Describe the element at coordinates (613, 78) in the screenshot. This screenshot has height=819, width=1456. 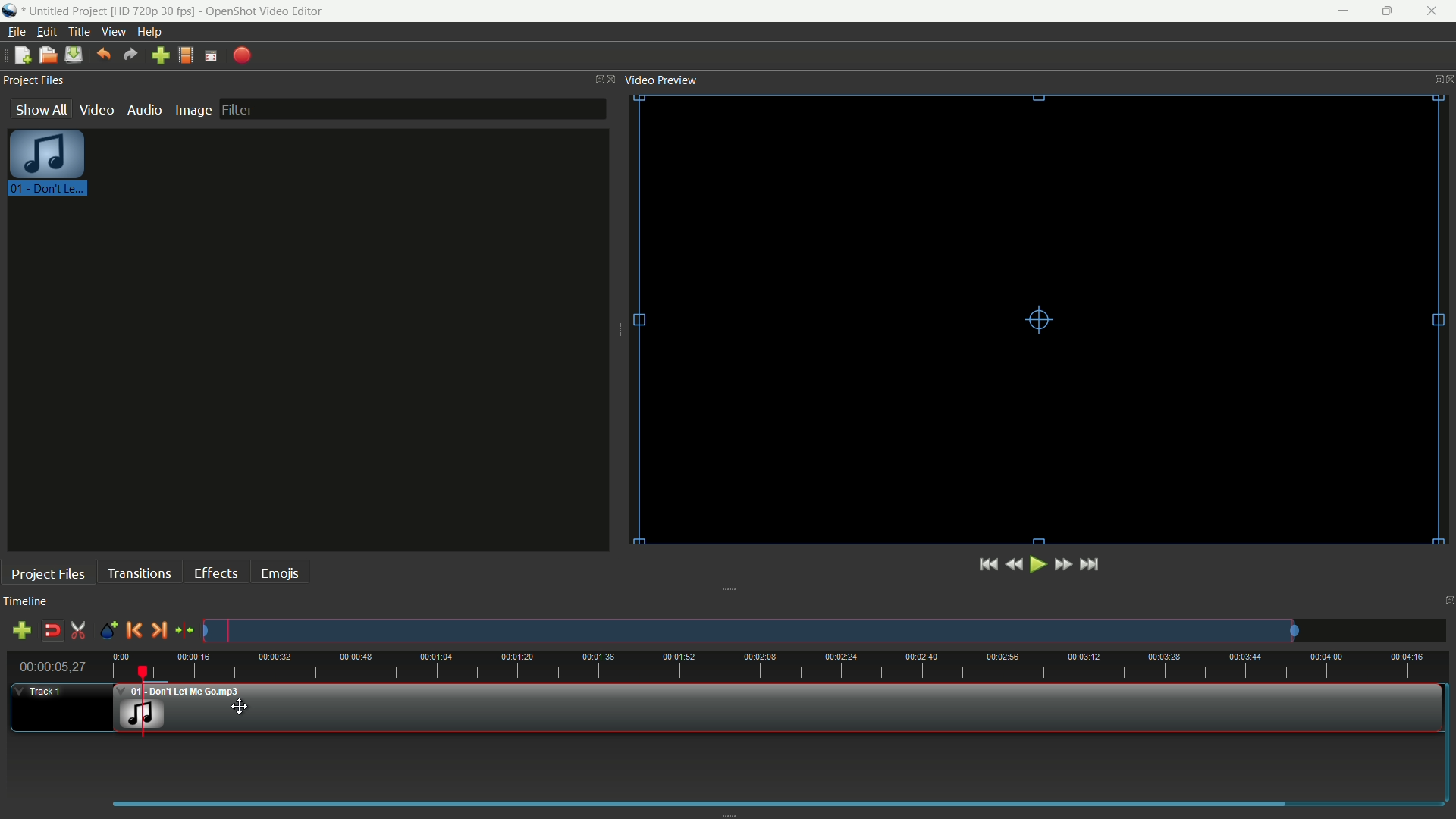
I see `close project files` at that location.